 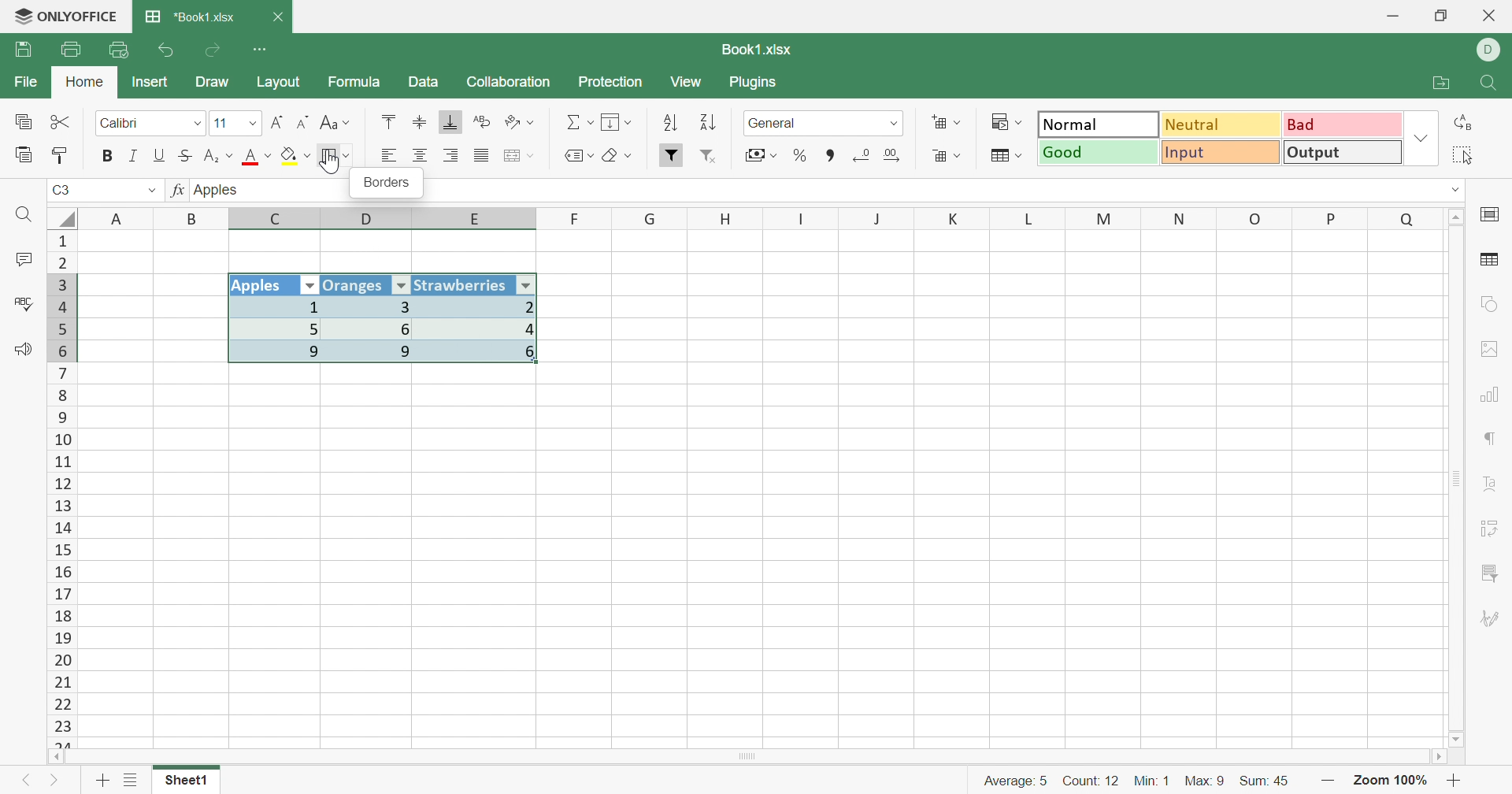 What do you see at coordinates (1098, 124) in the screenshot?
I see `Normal` at bounding box center [1098, 124].